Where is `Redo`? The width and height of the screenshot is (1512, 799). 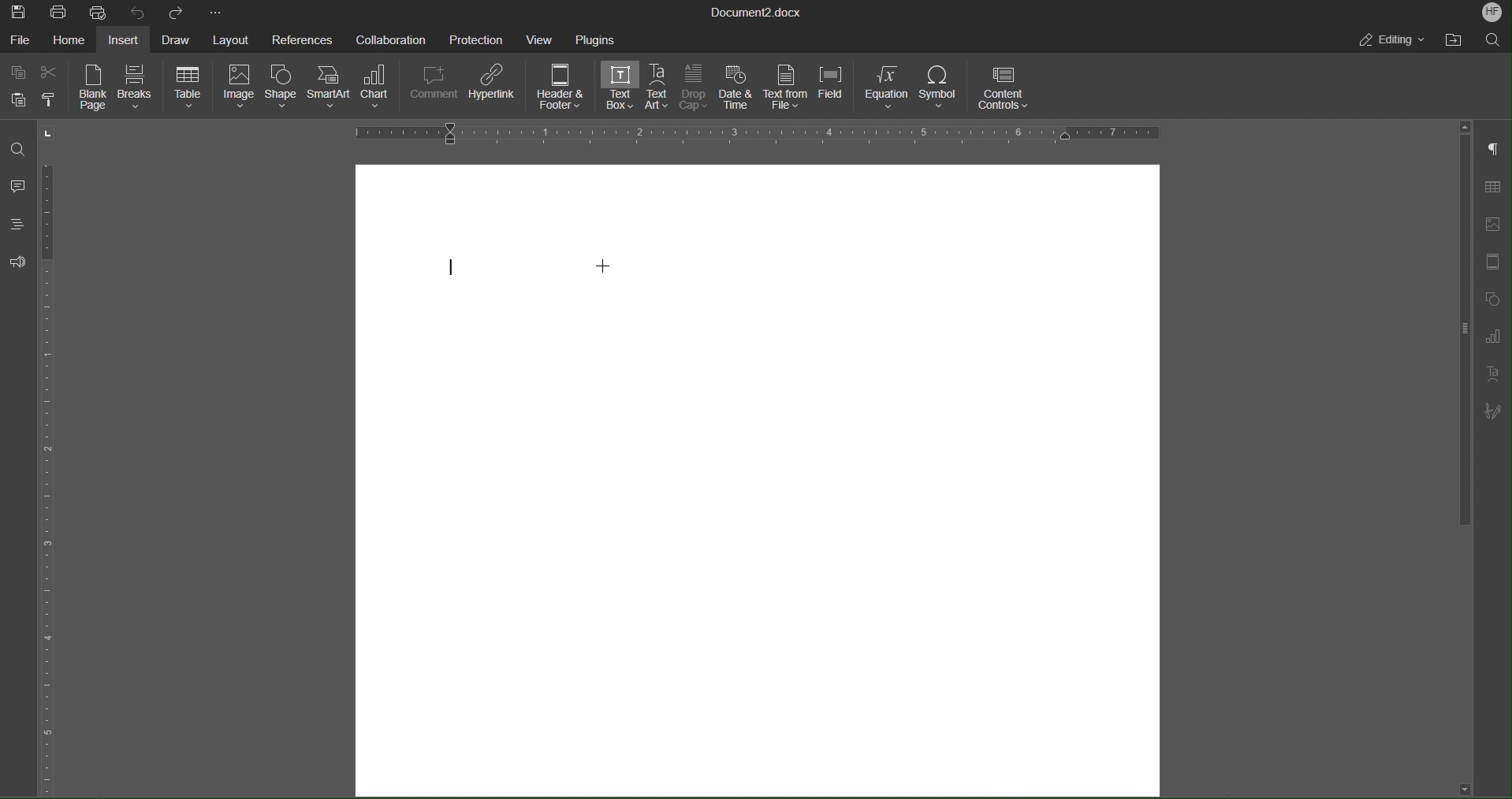
Redo is located at coordinates (172, 12).